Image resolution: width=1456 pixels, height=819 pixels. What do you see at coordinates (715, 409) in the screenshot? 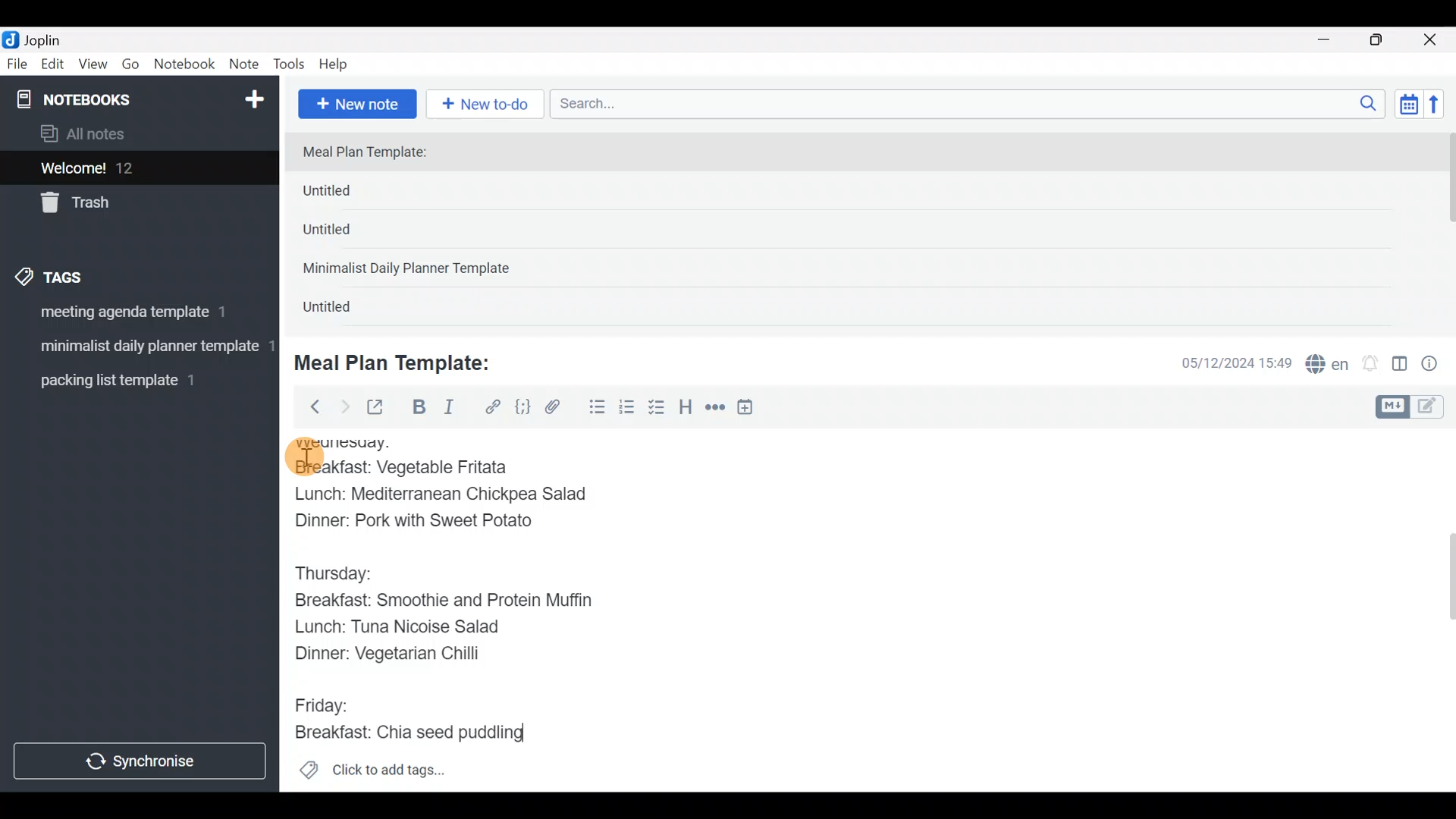
I see `Horizontal rule` at bounding box center [715, 409].